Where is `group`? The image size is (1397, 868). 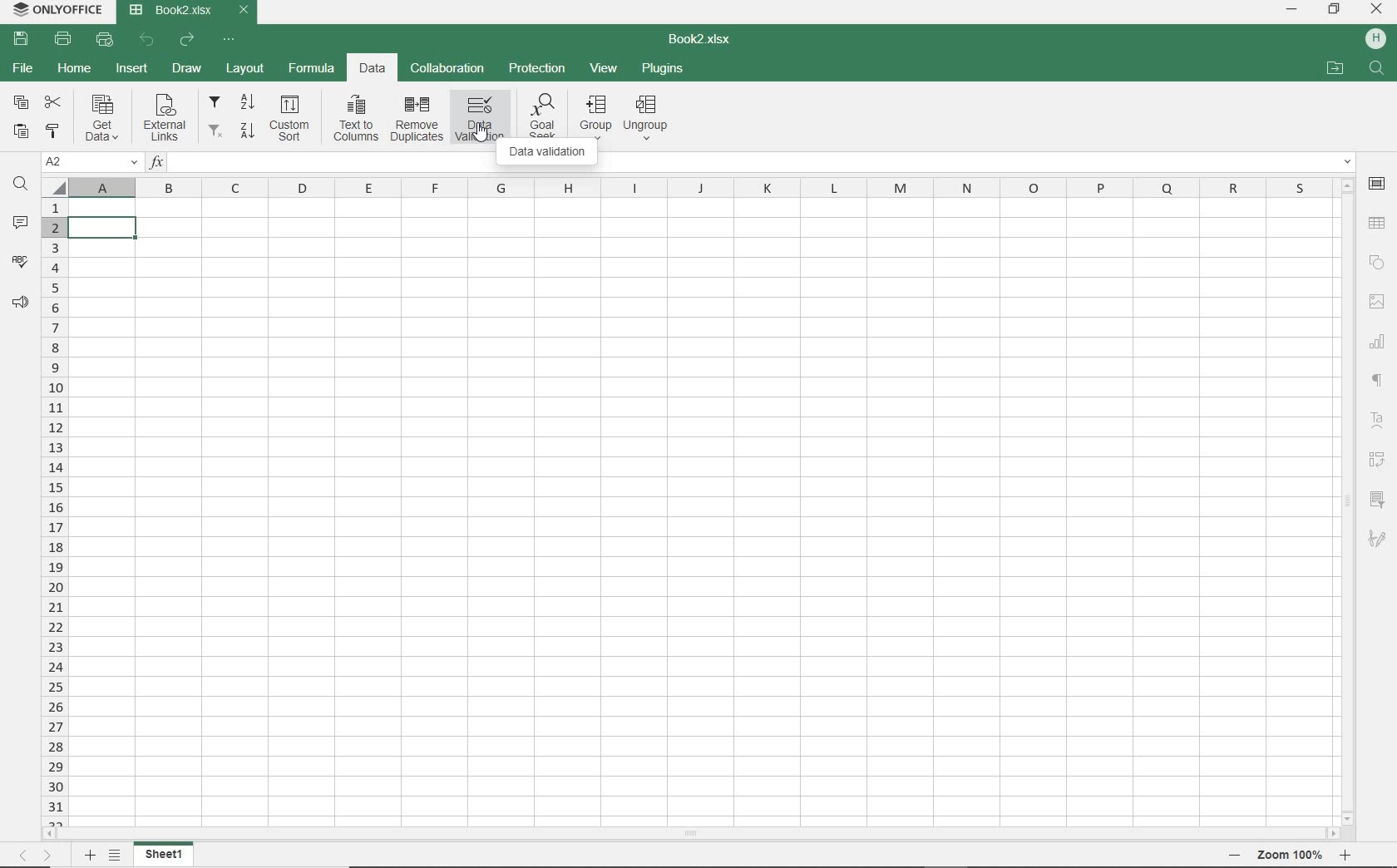 group is located at coordinates (595, 116).